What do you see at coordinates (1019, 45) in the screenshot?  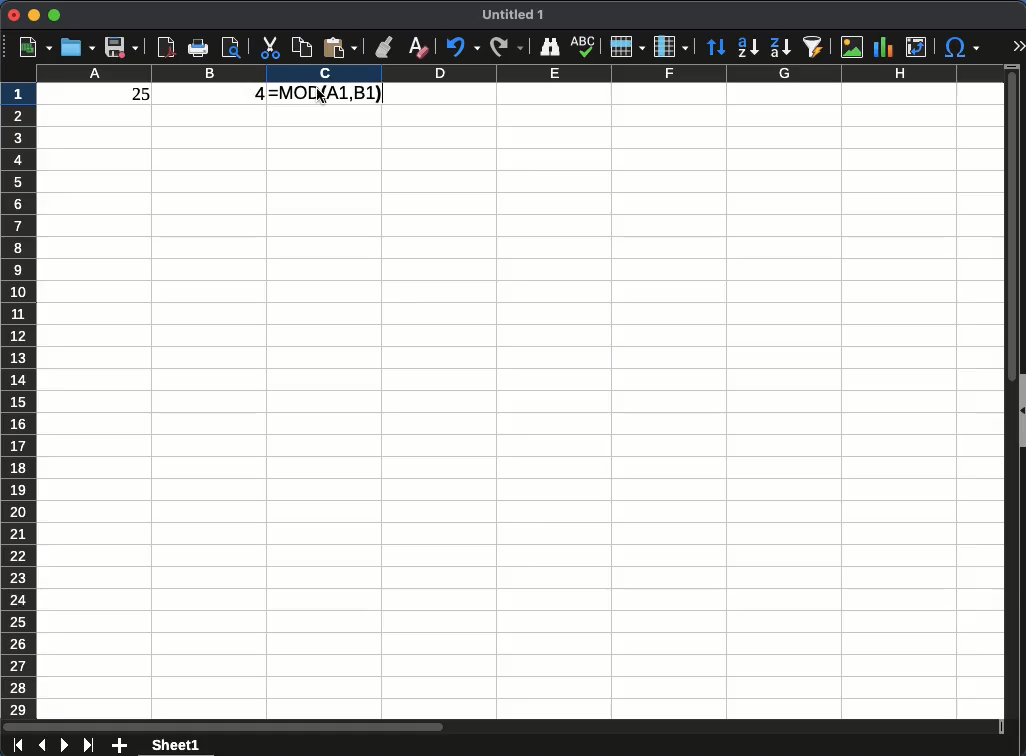 I see `expand` at bounding box center [1019, 45].